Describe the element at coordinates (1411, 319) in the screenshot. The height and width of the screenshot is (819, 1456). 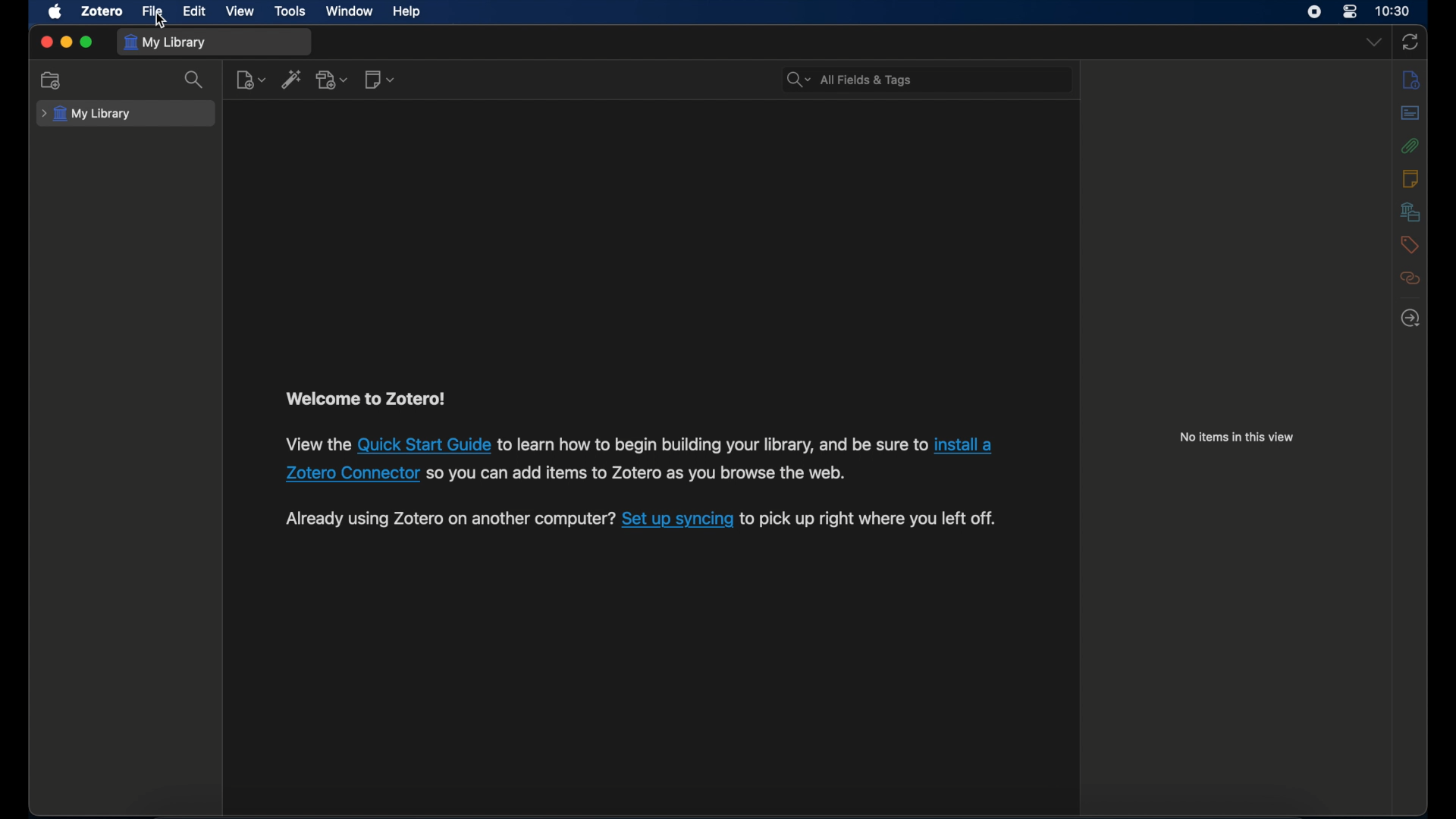
I see `locate` at that location.